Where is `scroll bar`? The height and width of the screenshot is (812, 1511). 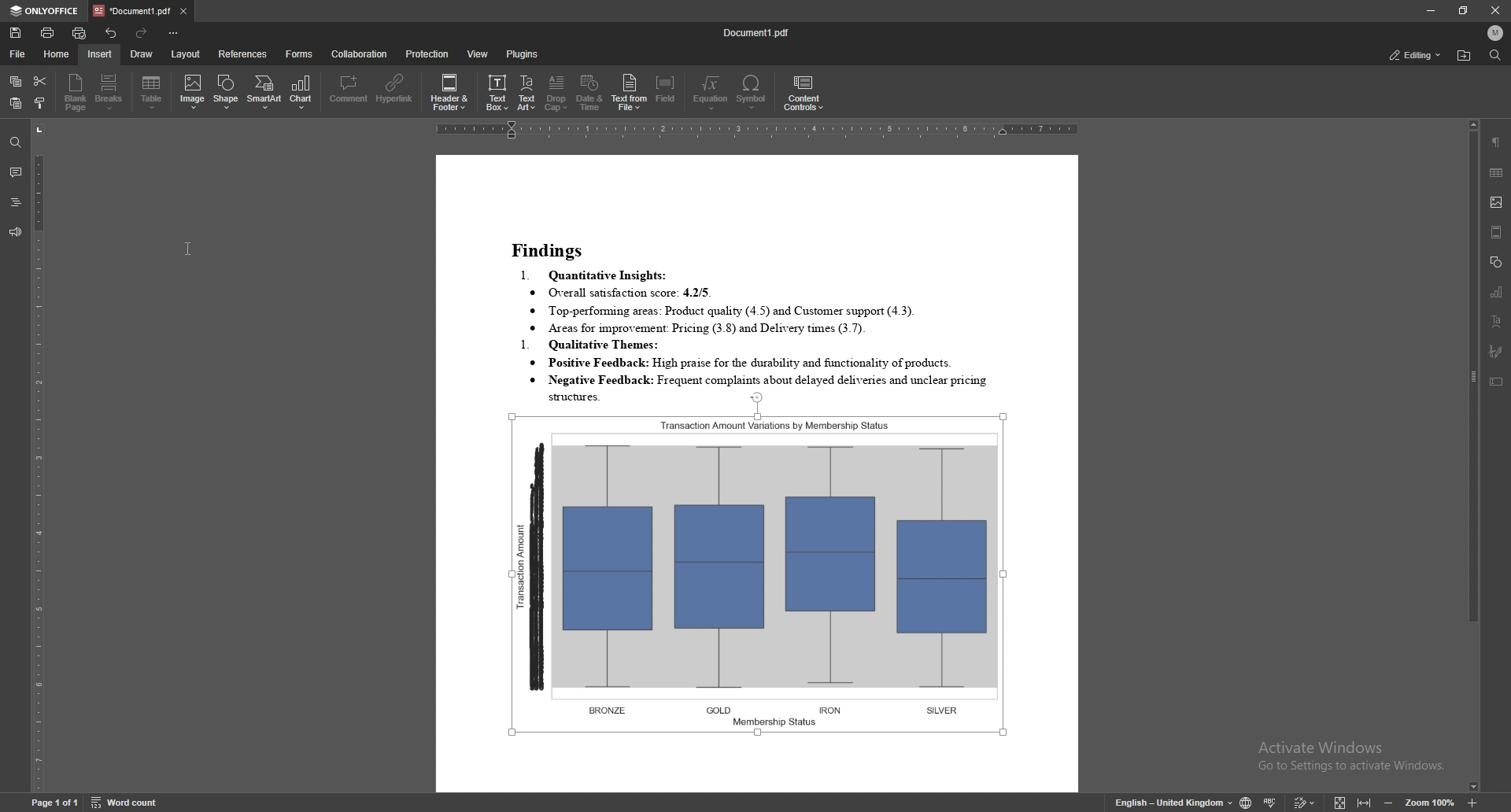
scroll bar is located at coordinates (1472, 456).